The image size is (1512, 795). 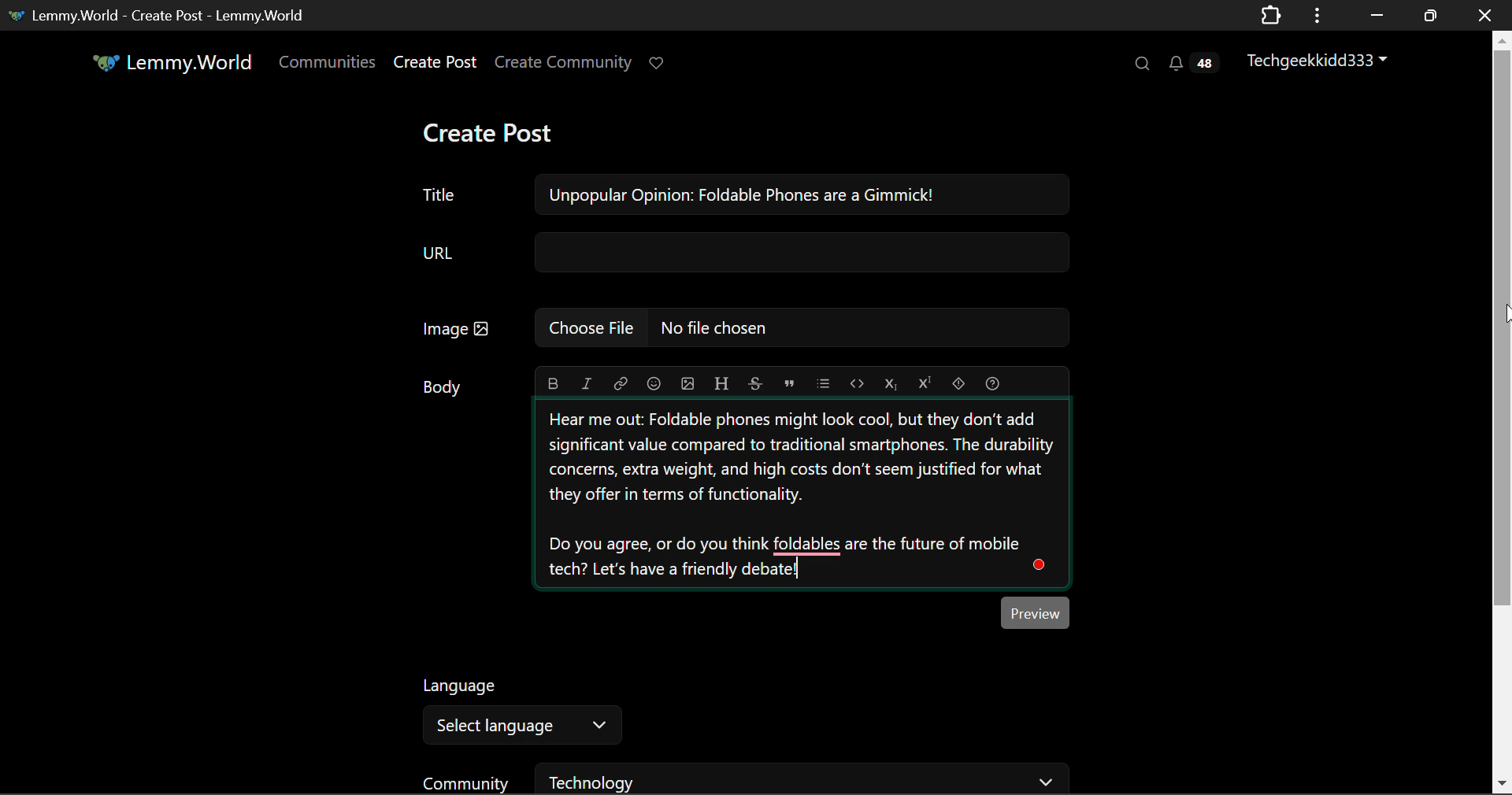 What do you see at coordinates (328, 65) in the screenshot?
I see `Communities` at bounding box center [328, 65].